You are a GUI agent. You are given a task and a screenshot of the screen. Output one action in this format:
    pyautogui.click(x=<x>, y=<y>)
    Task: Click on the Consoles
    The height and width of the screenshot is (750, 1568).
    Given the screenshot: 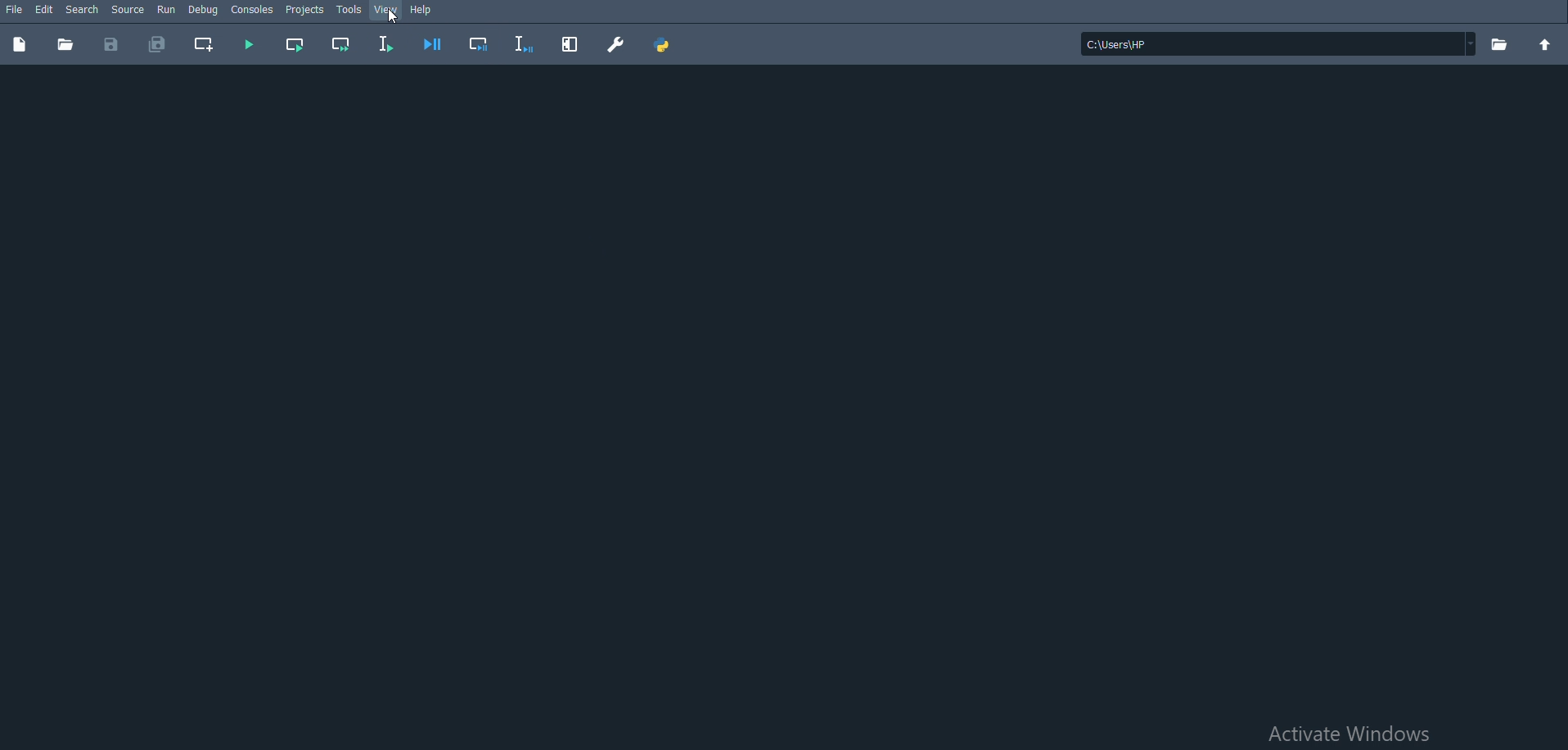 What is the action you would take?
    pyautogui.click(x=254, y=10)
    